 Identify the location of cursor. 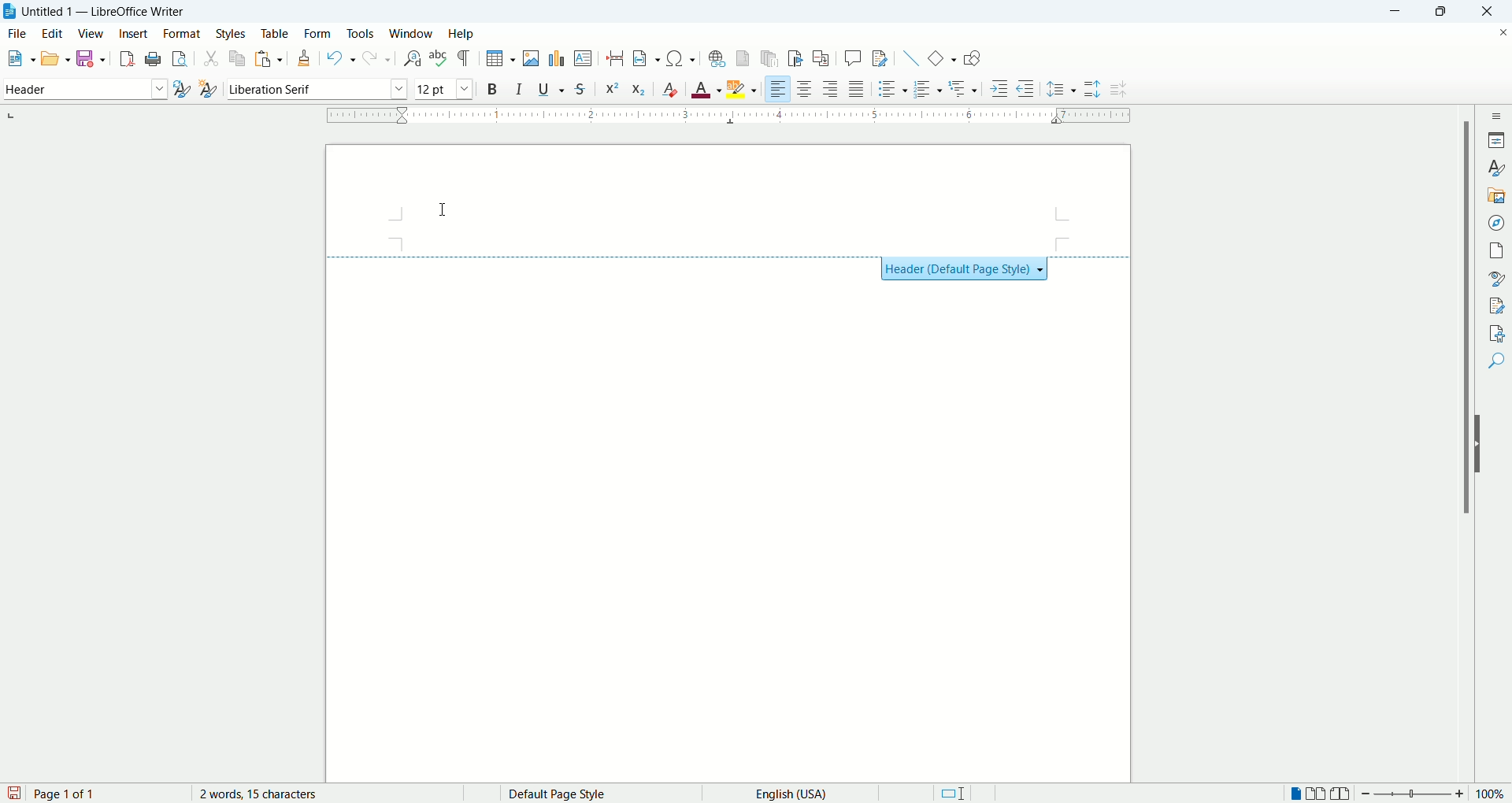
(439, 207).